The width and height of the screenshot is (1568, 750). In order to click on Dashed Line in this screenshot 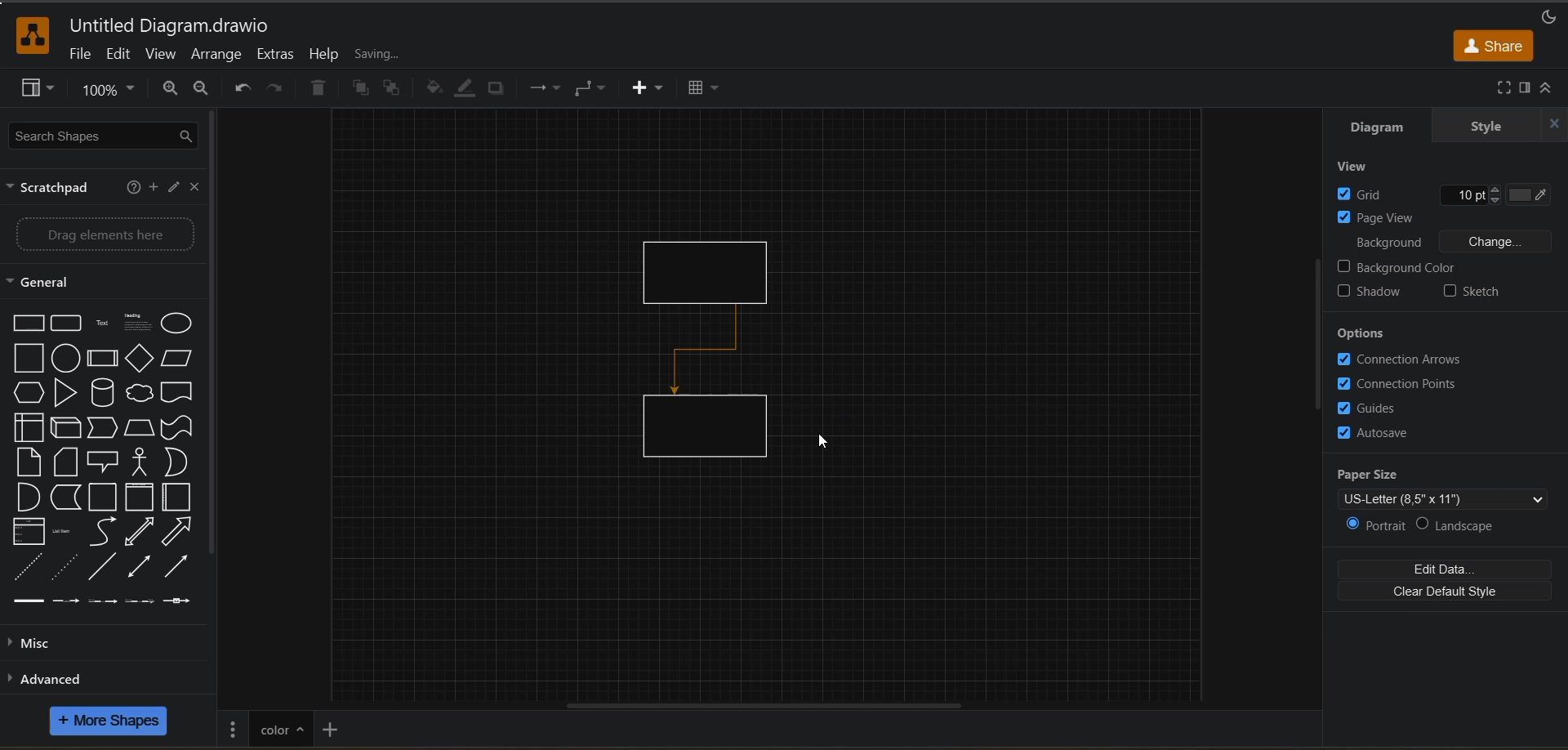, I will do `click(24, 567)`.